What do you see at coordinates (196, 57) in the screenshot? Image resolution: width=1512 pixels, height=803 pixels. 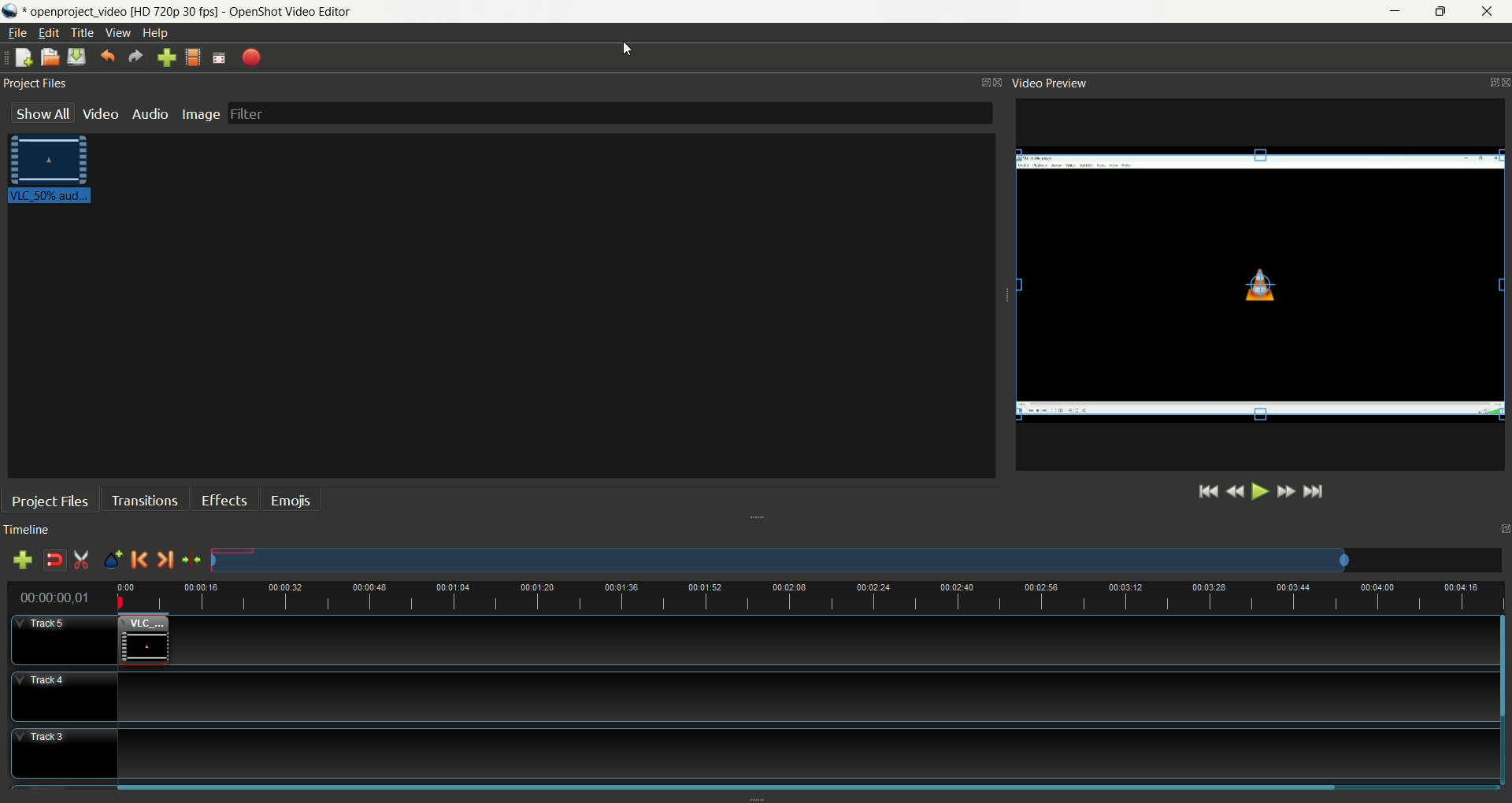 I see `choose profile` at bounding box center [196, 57].